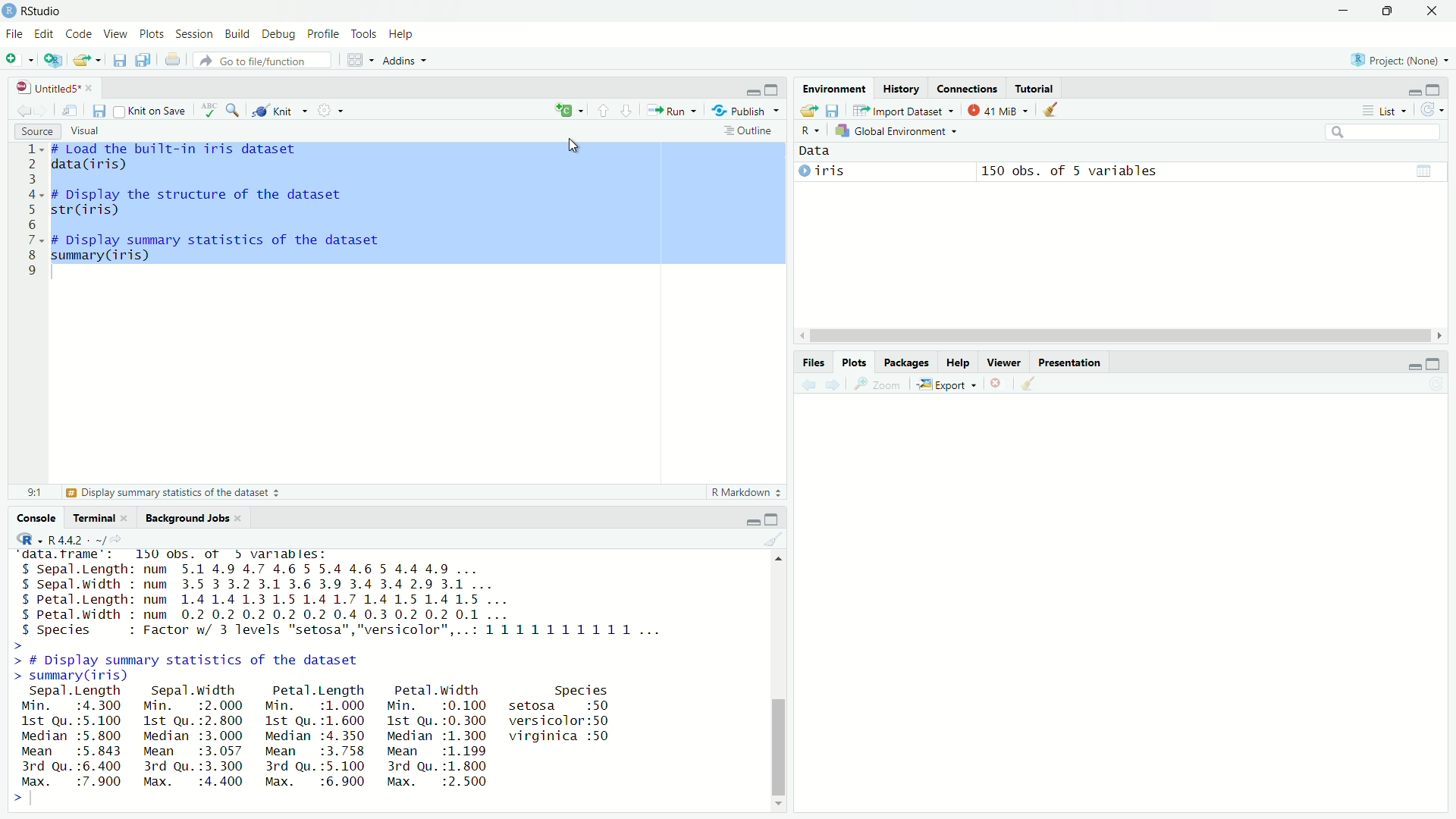 This screenshot has width=1456, height=819. What do you see at coordinates (15, 34) in the screenshot?
I see `File` at bounding box center [15, 34].